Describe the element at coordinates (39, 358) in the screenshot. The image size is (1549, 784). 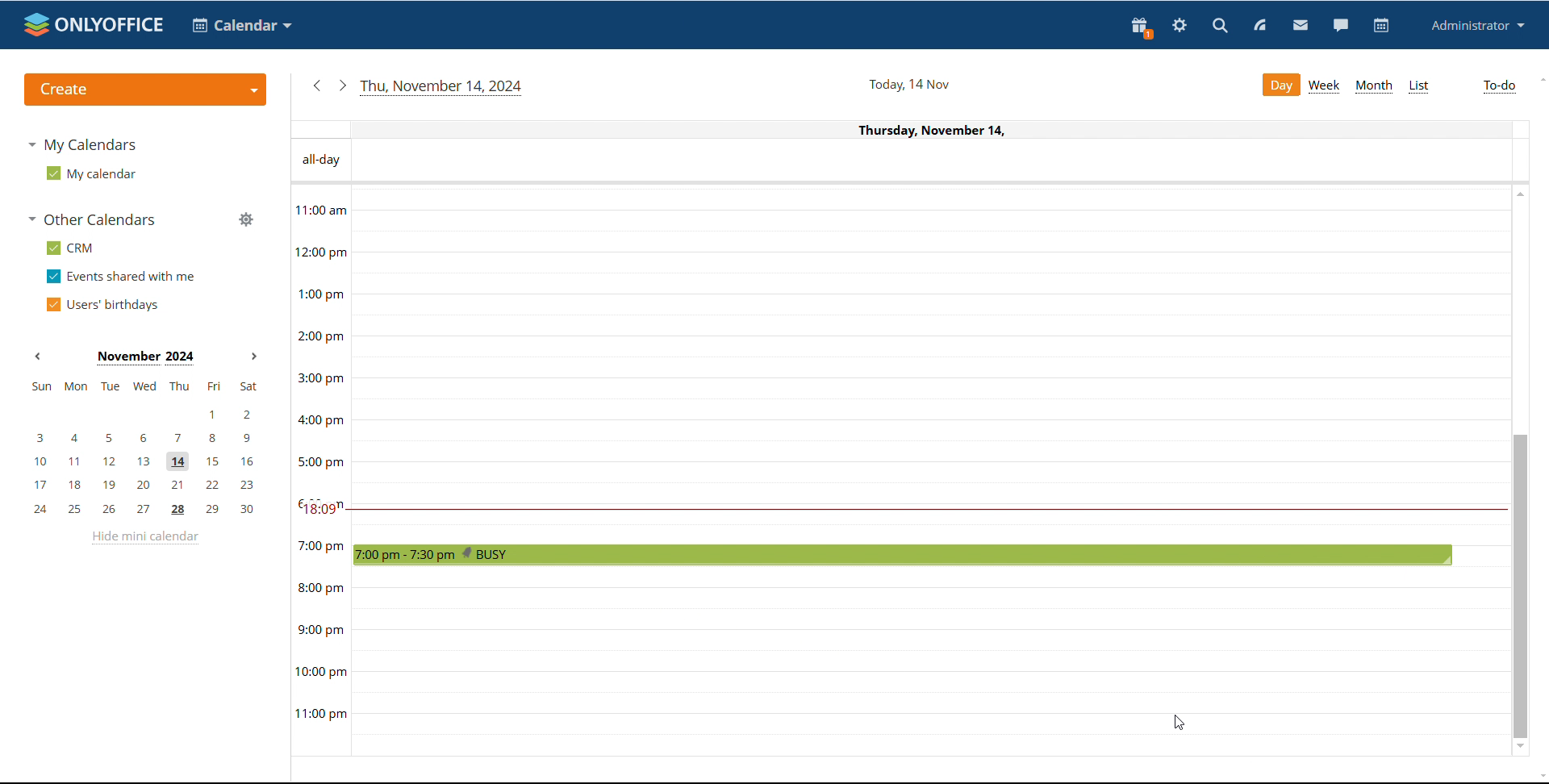
I see `previous month` at that location.